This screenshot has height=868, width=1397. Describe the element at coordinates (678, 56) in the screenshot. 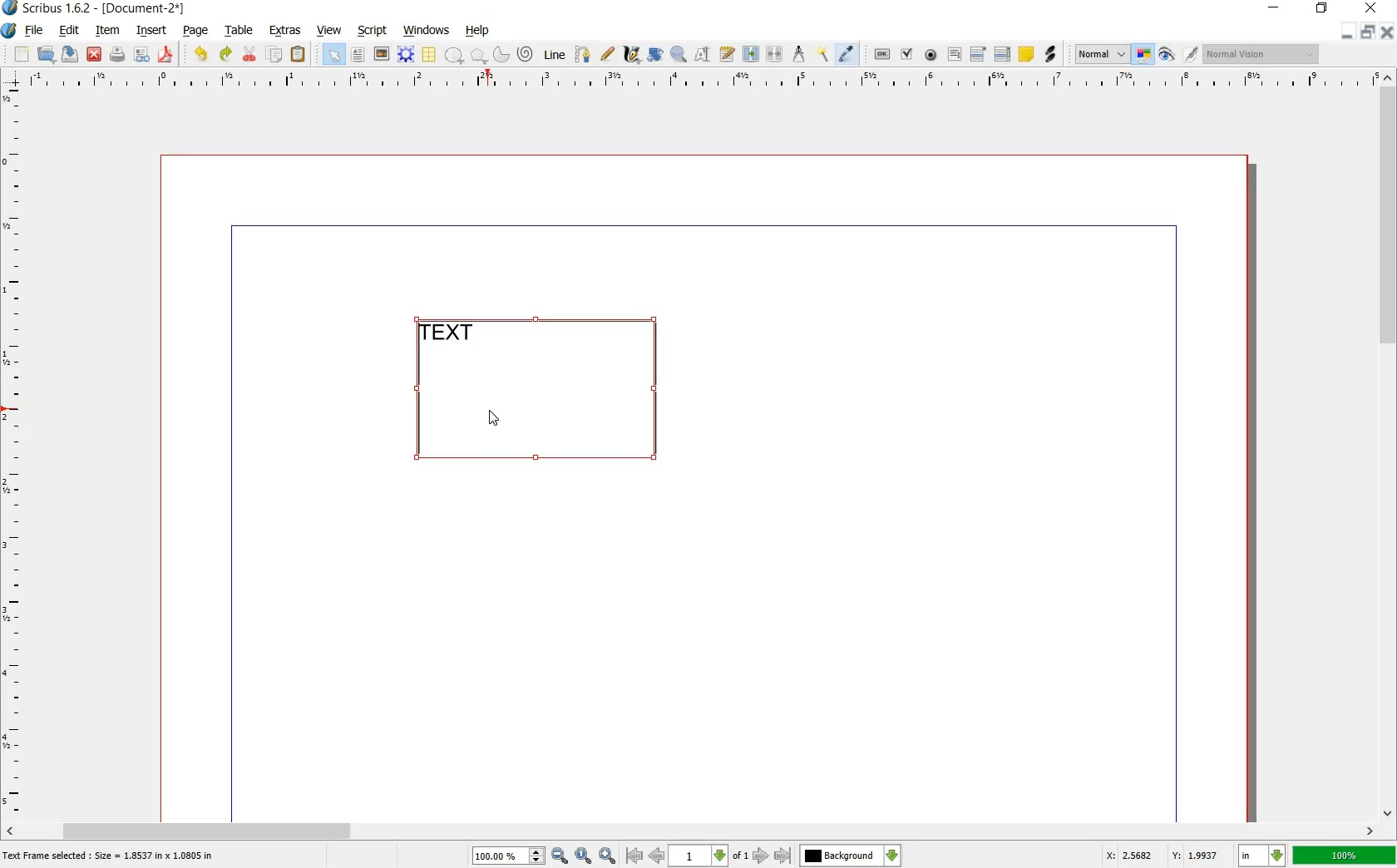

I see `zoom in or out` at that location.